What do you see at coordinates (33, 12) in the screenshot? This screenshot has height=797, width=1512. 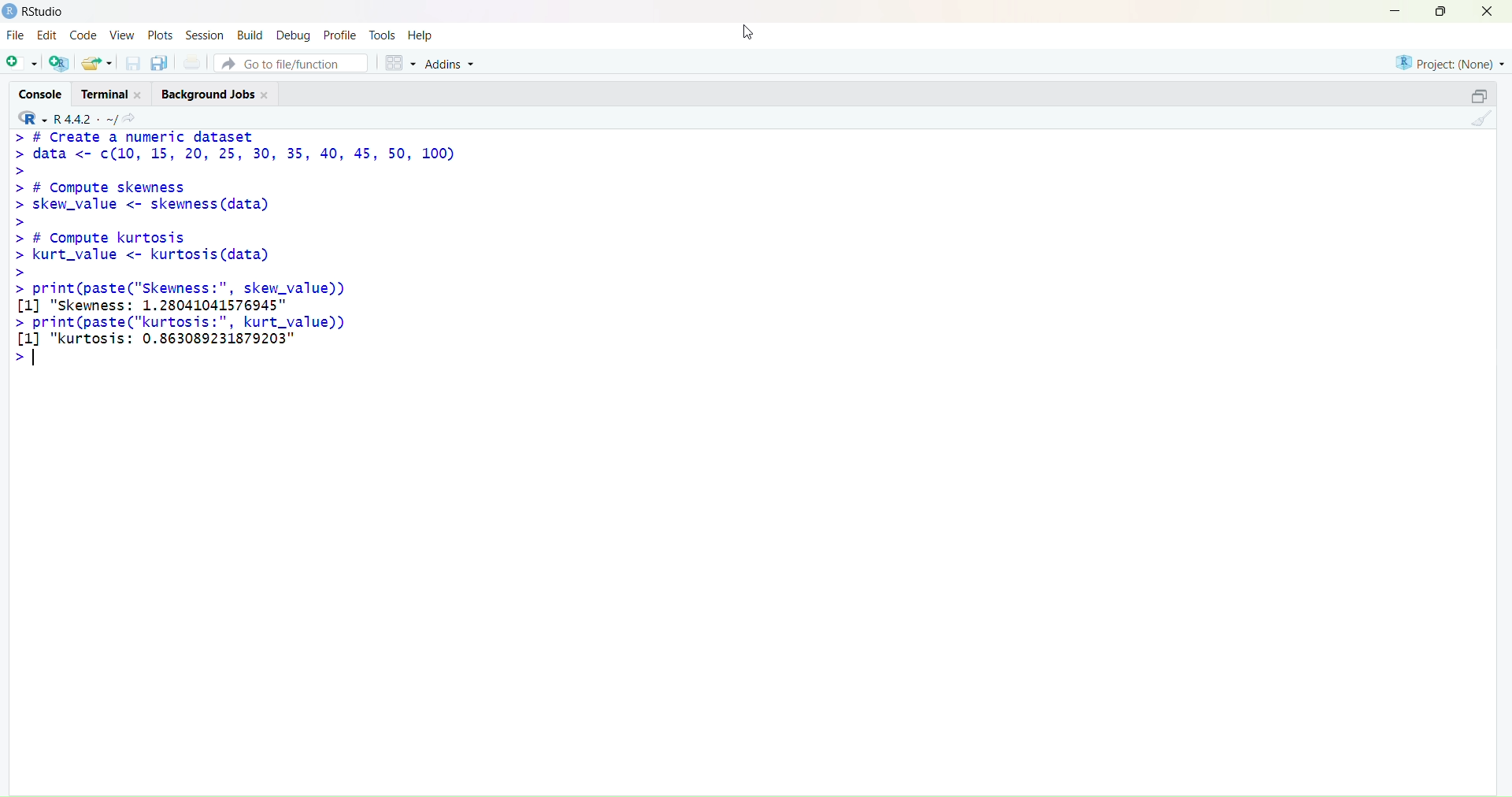 I see `RStudio` at bounding box center [33, 12].